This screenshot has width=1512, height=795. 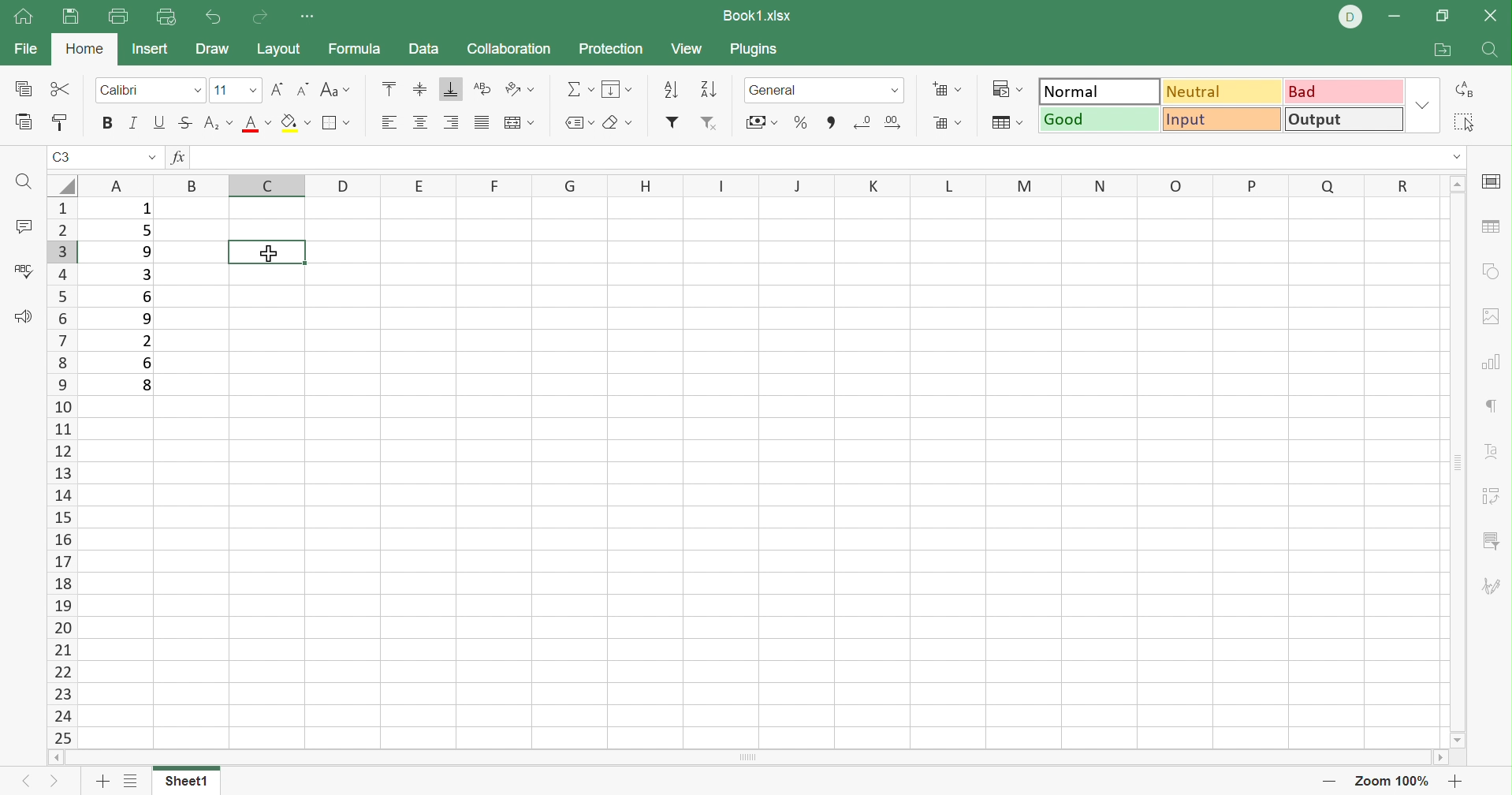 I want to click on Quick print, so click(x=167, y=19).